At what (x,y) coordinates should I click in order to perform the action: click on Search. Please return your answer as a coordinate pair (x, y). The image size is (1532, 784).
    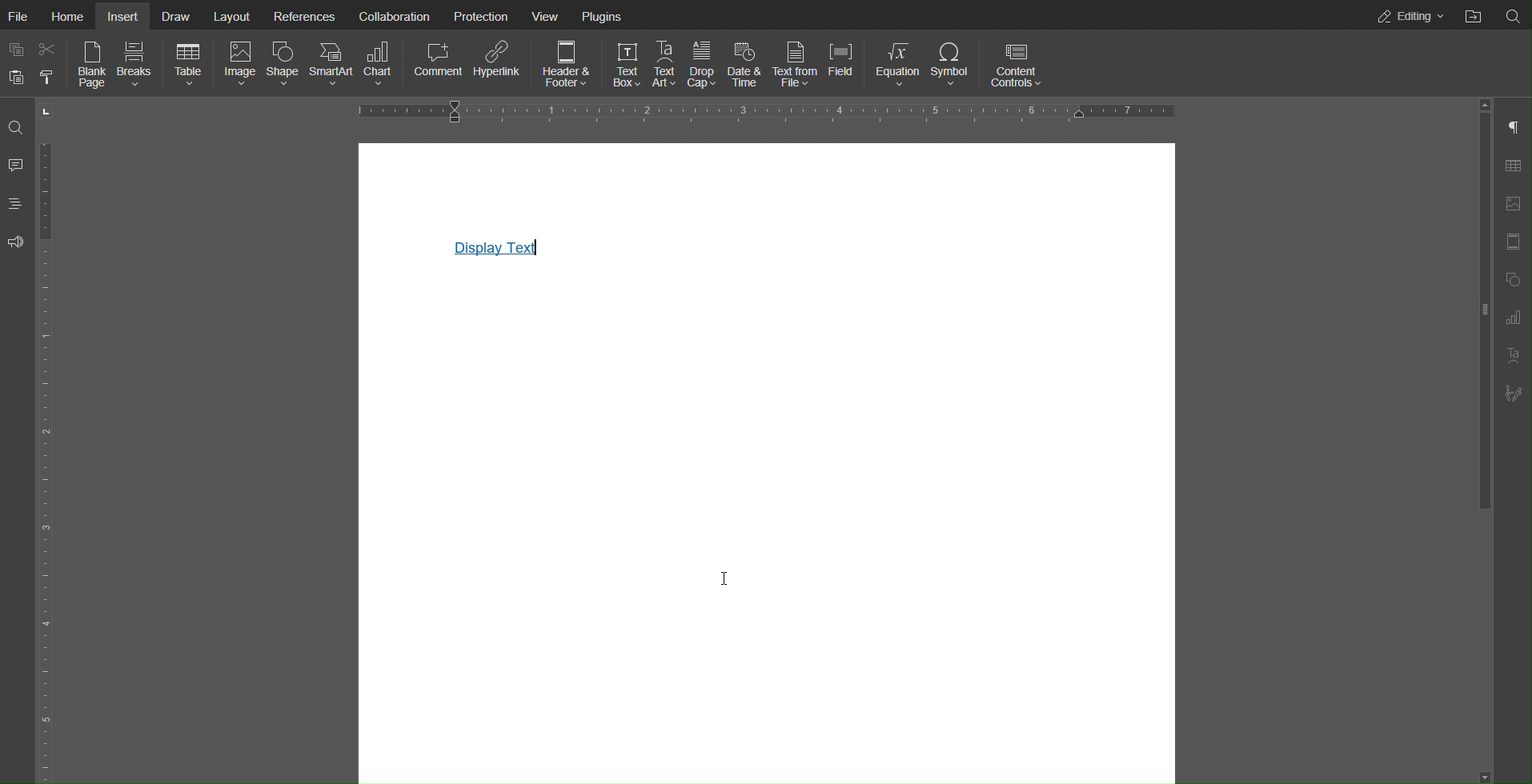
    Looking at the image, I should click on (16, 126).